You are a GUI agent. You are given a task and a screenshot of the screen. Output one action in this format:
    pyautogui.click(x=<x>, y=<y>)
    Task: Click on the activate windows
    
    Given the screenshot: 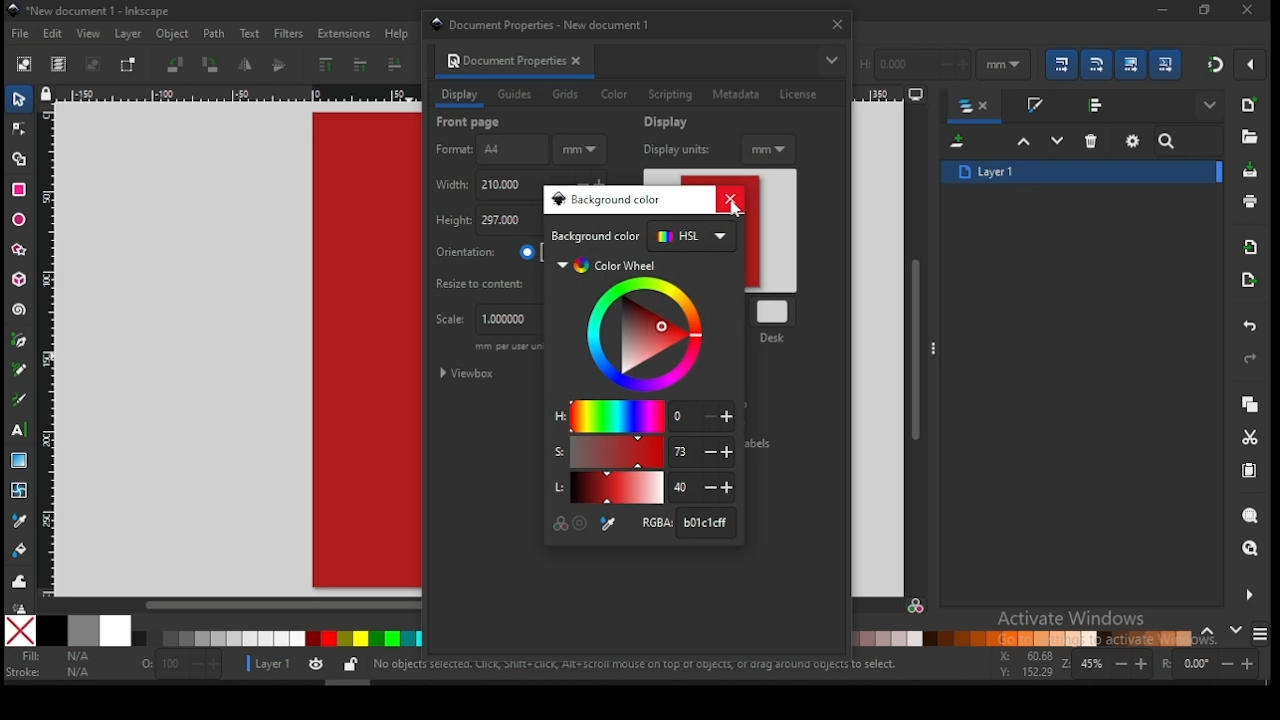 What is the action you would take?
    pyautogui.click(x=1069, y=620)
    